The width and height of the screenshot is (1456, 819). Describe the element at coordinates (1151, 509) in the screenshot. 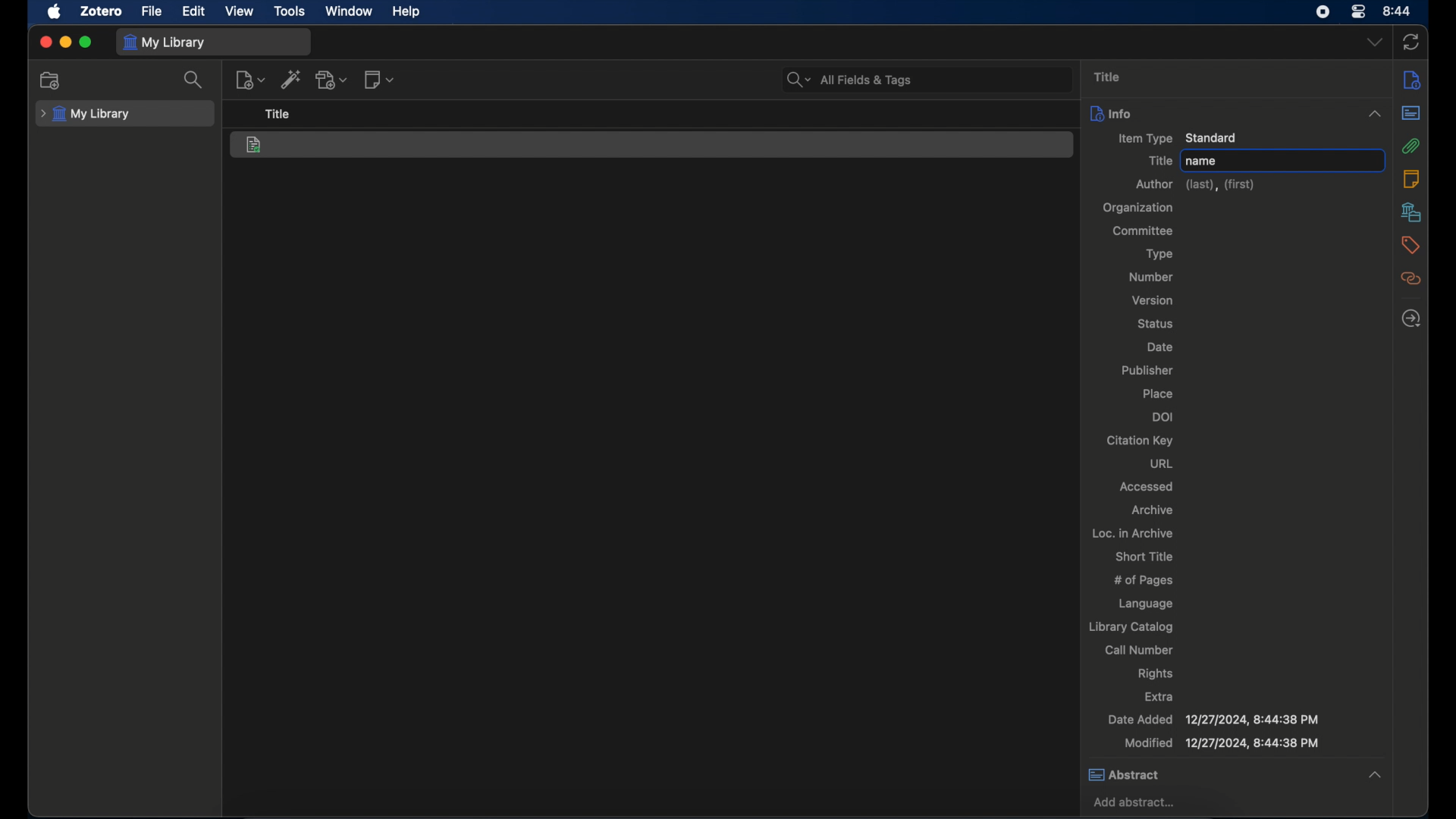

I see `archive` at that location.